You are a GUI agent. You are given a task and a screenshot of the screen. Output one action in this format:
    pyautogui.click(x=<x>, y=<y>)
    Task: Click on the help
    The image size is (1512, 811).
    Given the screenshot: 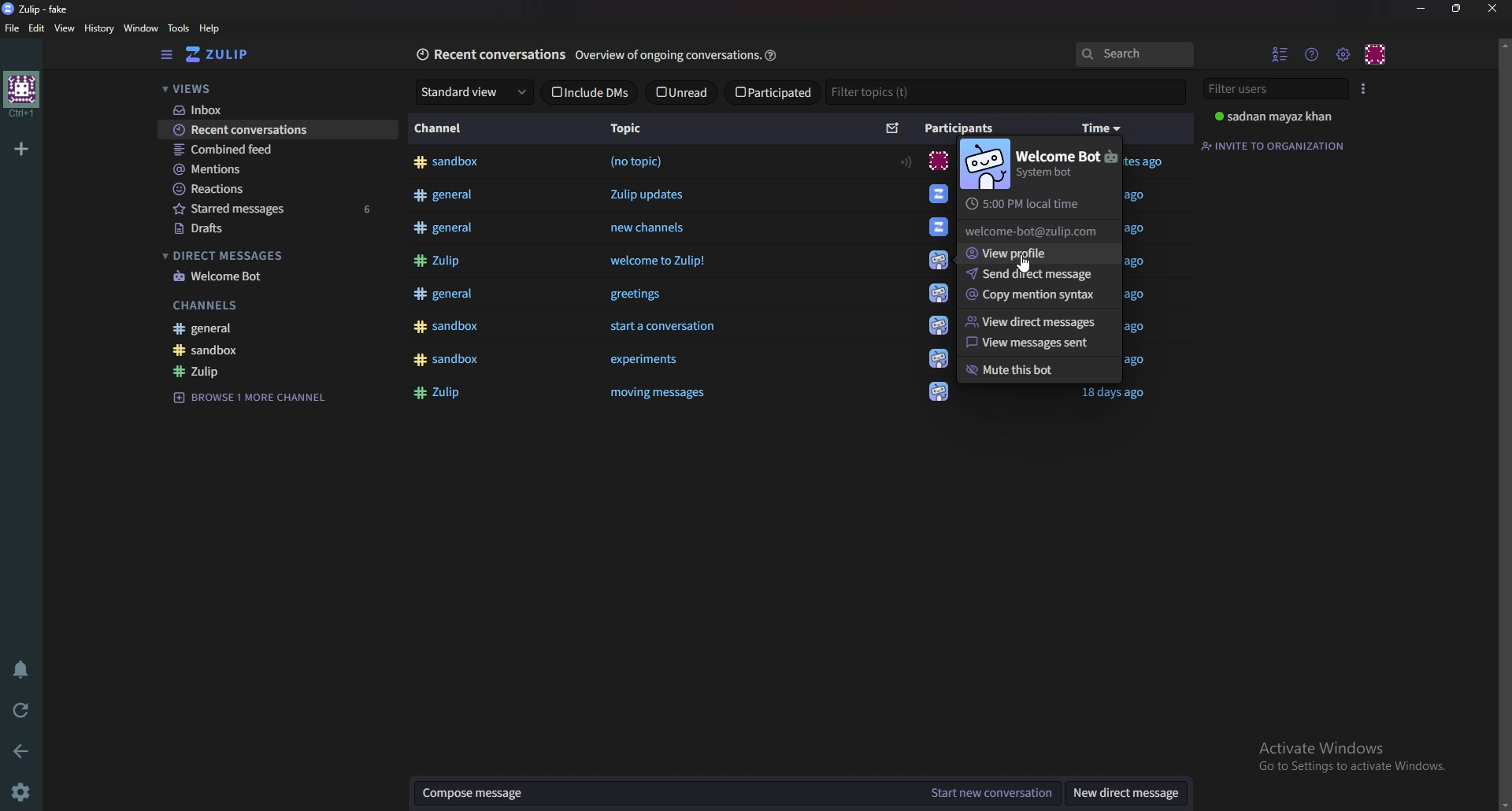 What is the action you would take?
    pyautogui.click(x=212, y=28)
    